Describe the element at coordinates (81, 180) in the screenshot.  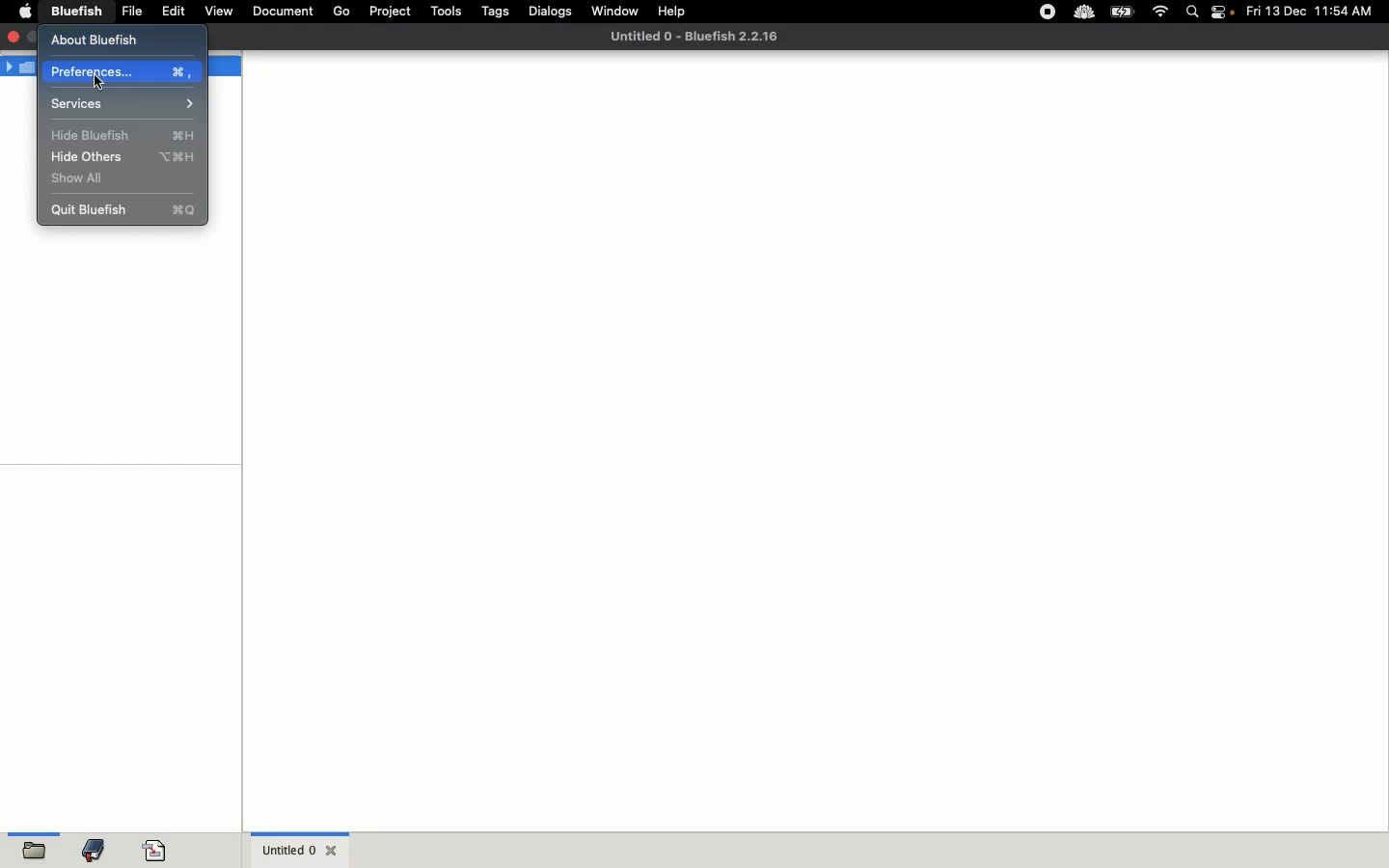
I see `Show all` at that location.